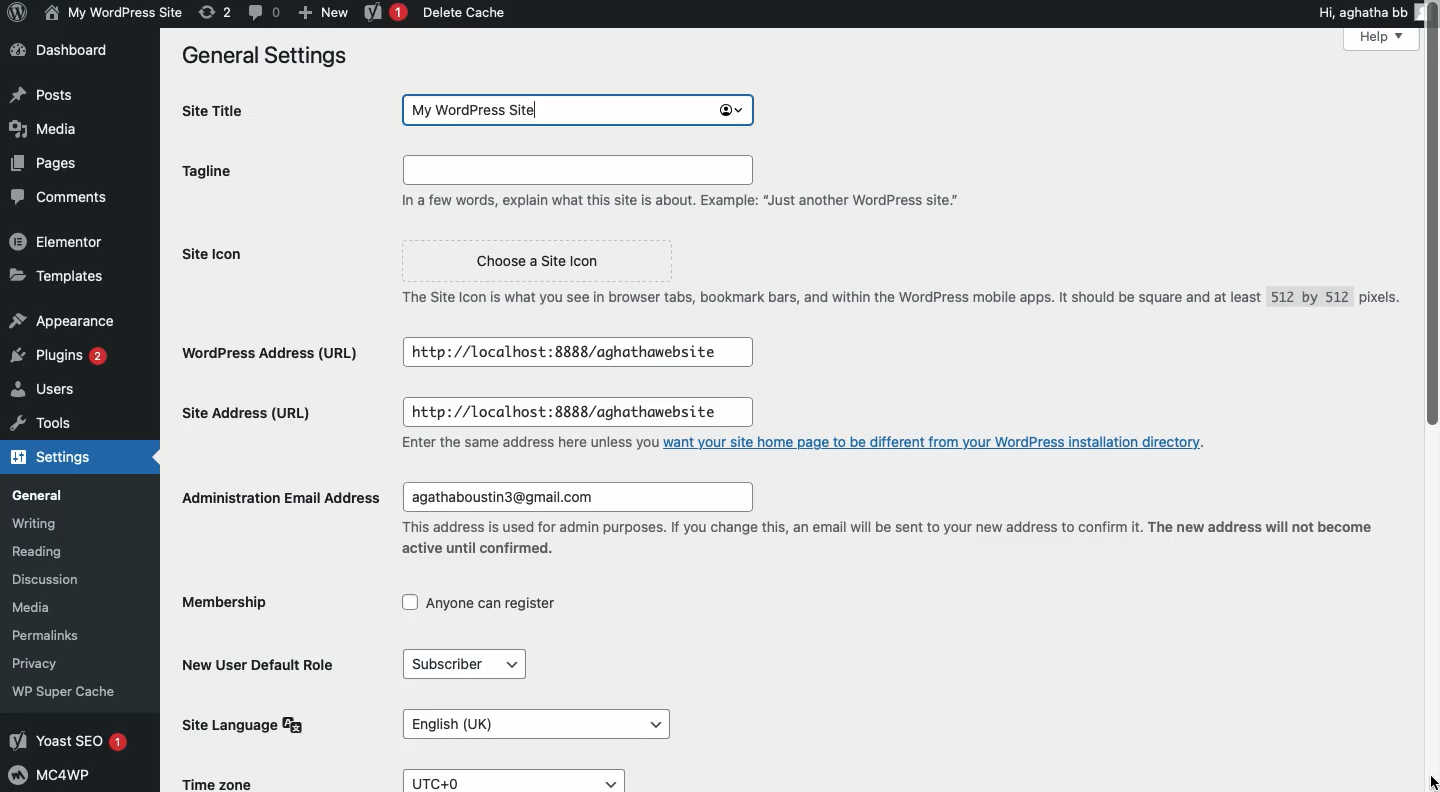 The width and height of the screenshot is (1440, 792). What do you see at coordinates (942, 443) in the screenshot?
I see `want your site home page to be different from your WordPress installation directory.` at bounding box center [942, 443].